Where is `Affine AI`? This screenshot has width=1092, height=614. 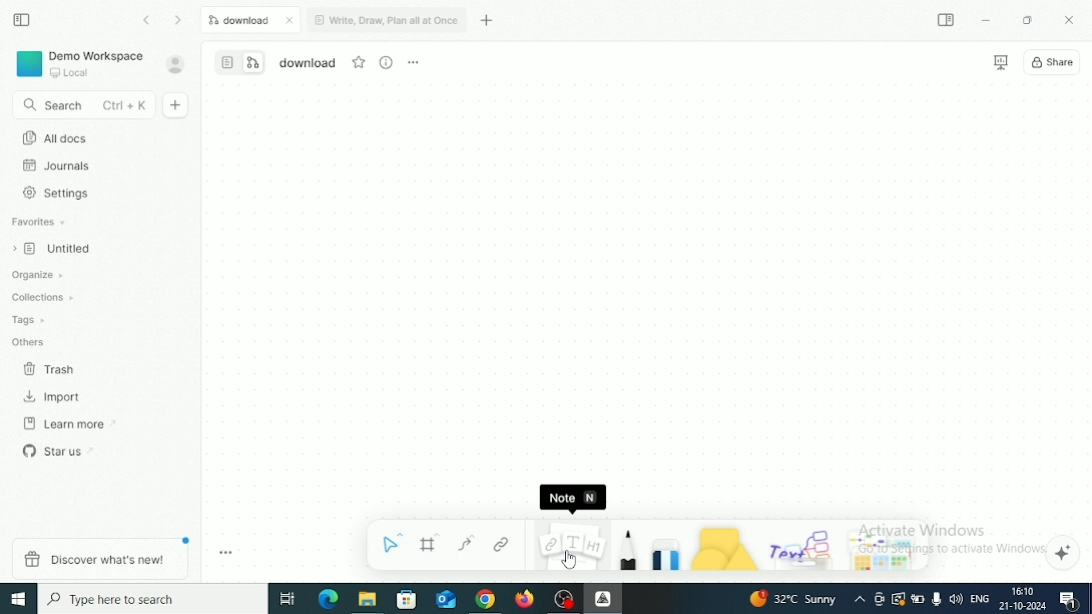
Affine AI is located at coordinates (1064, 552).